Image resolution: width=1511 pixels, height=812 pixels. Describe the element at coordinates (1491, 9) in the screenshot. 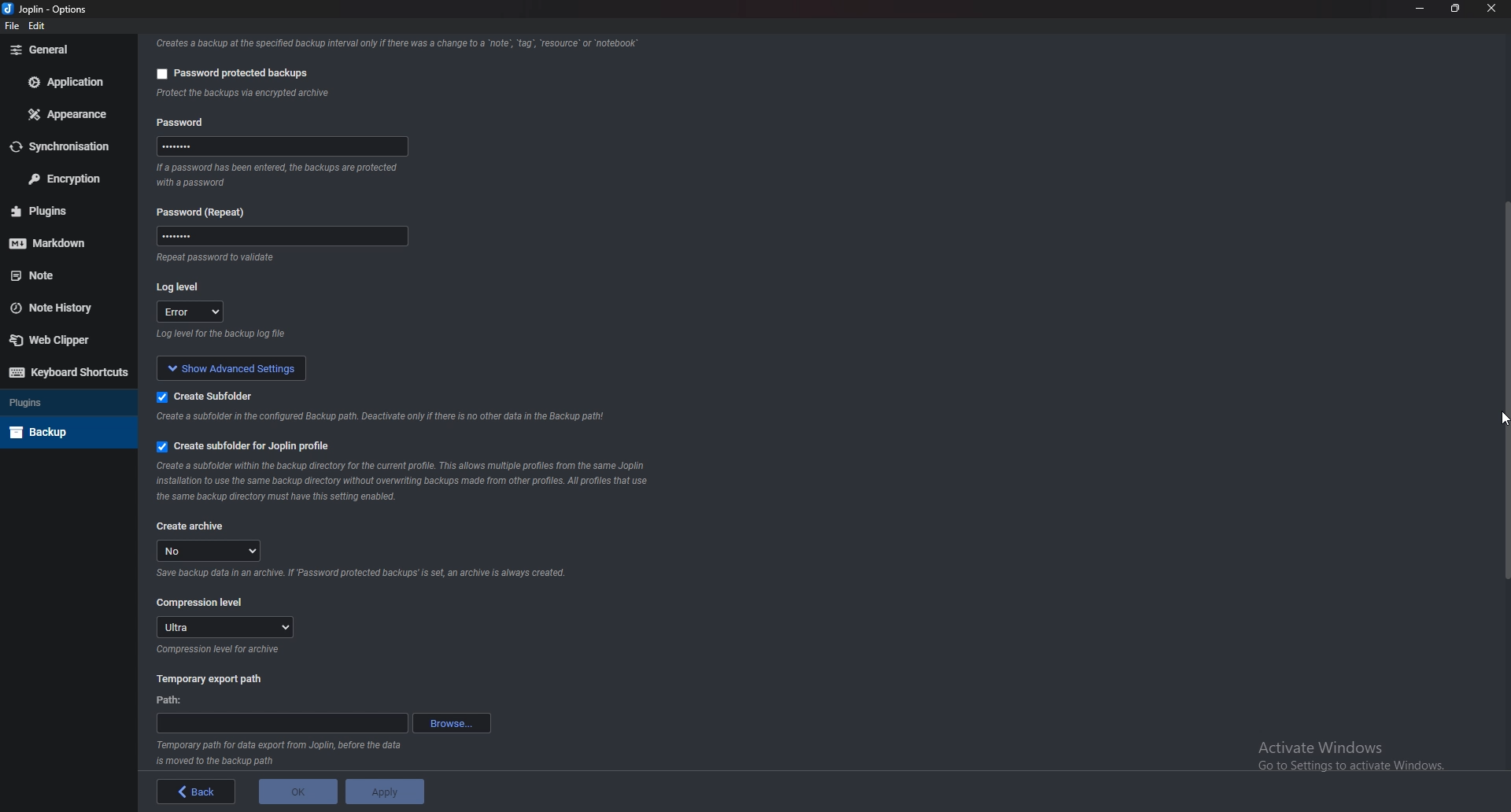

I see `close` at that location.